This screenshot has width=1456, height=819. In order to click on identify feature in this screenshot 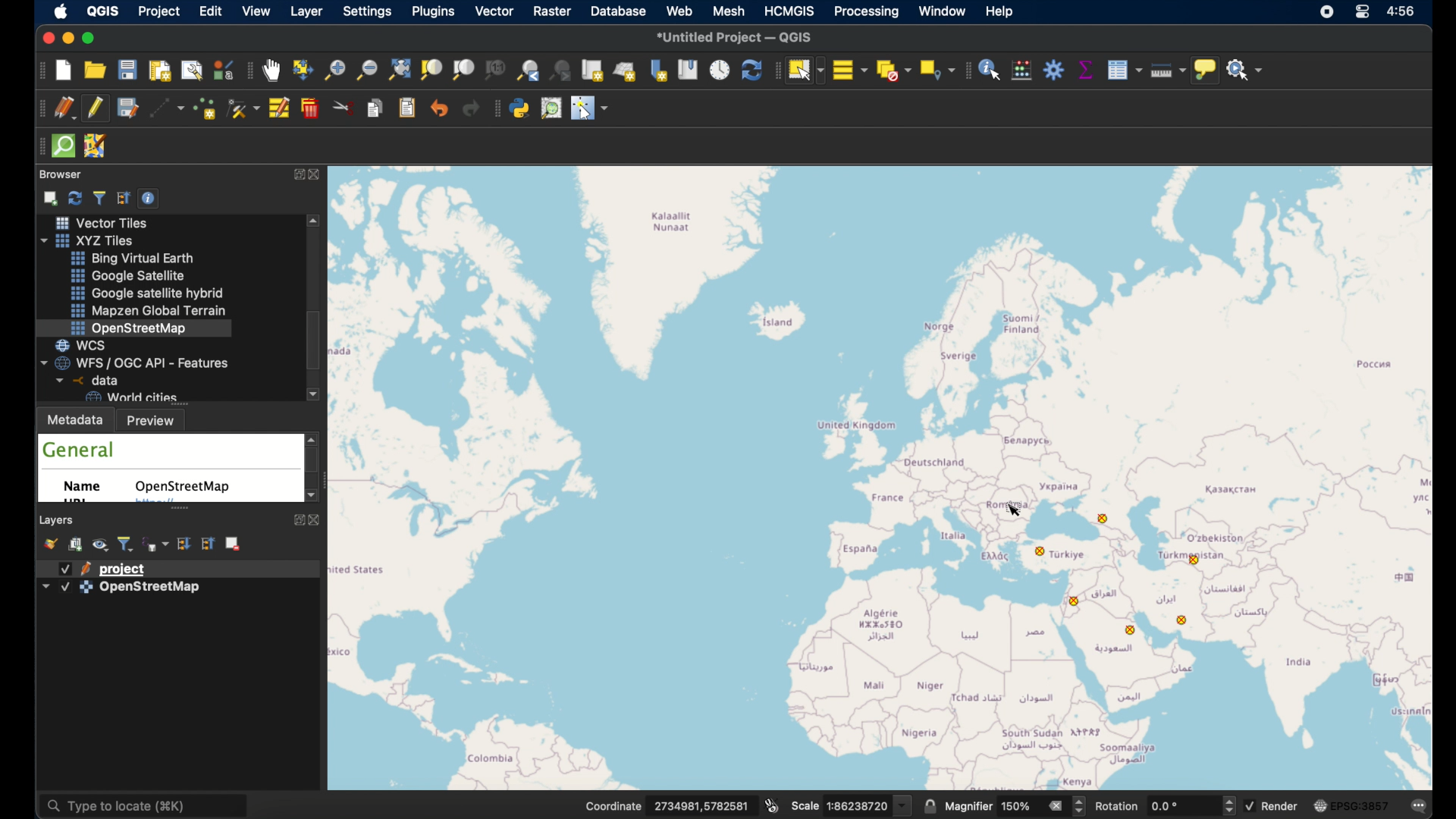, I will do `click(990, 70)`.